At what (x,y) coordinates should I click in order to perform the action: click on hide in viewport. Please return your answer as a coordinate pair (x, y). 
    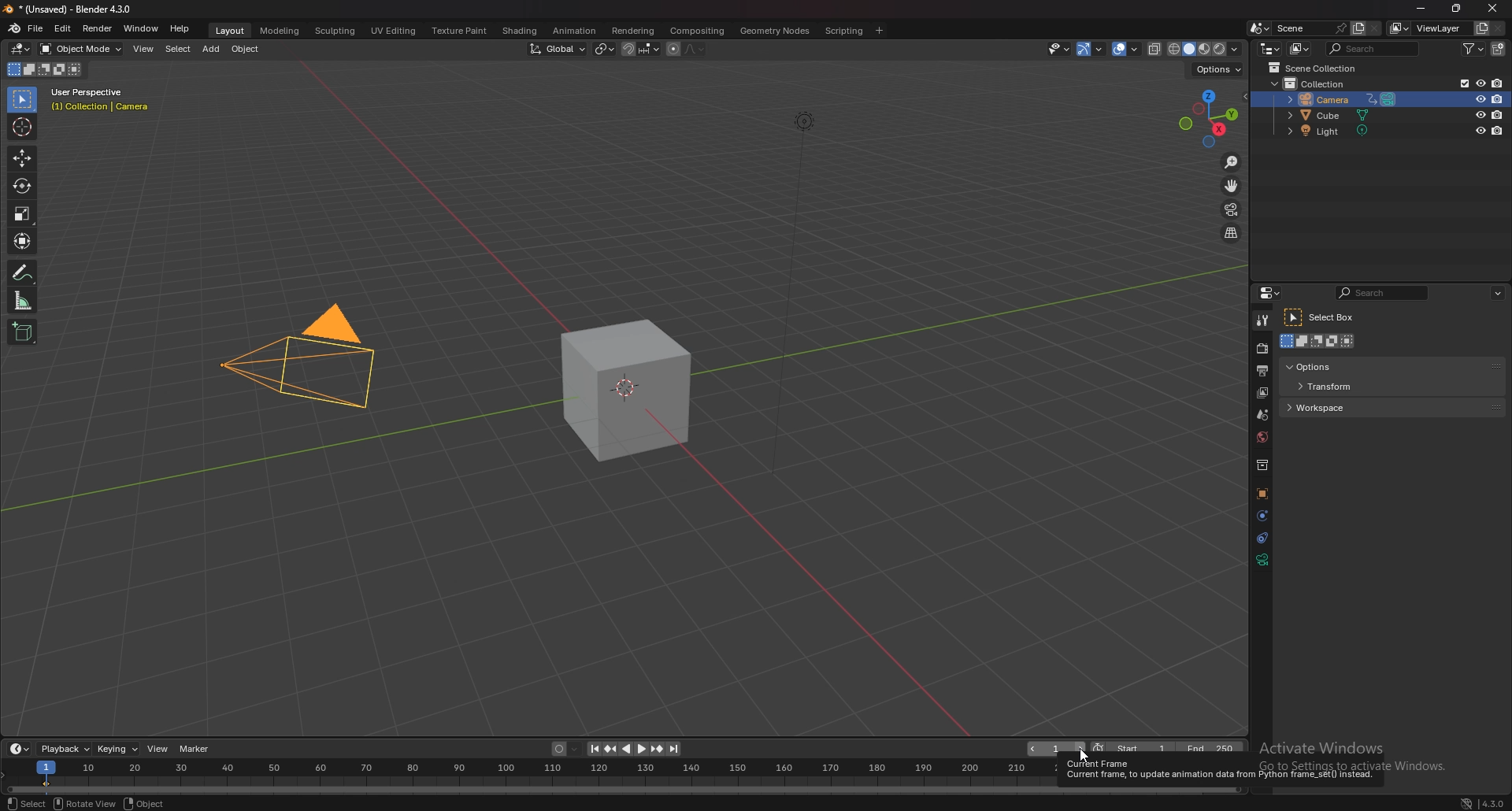
    Looking at the image, I should click on (1480, 131).